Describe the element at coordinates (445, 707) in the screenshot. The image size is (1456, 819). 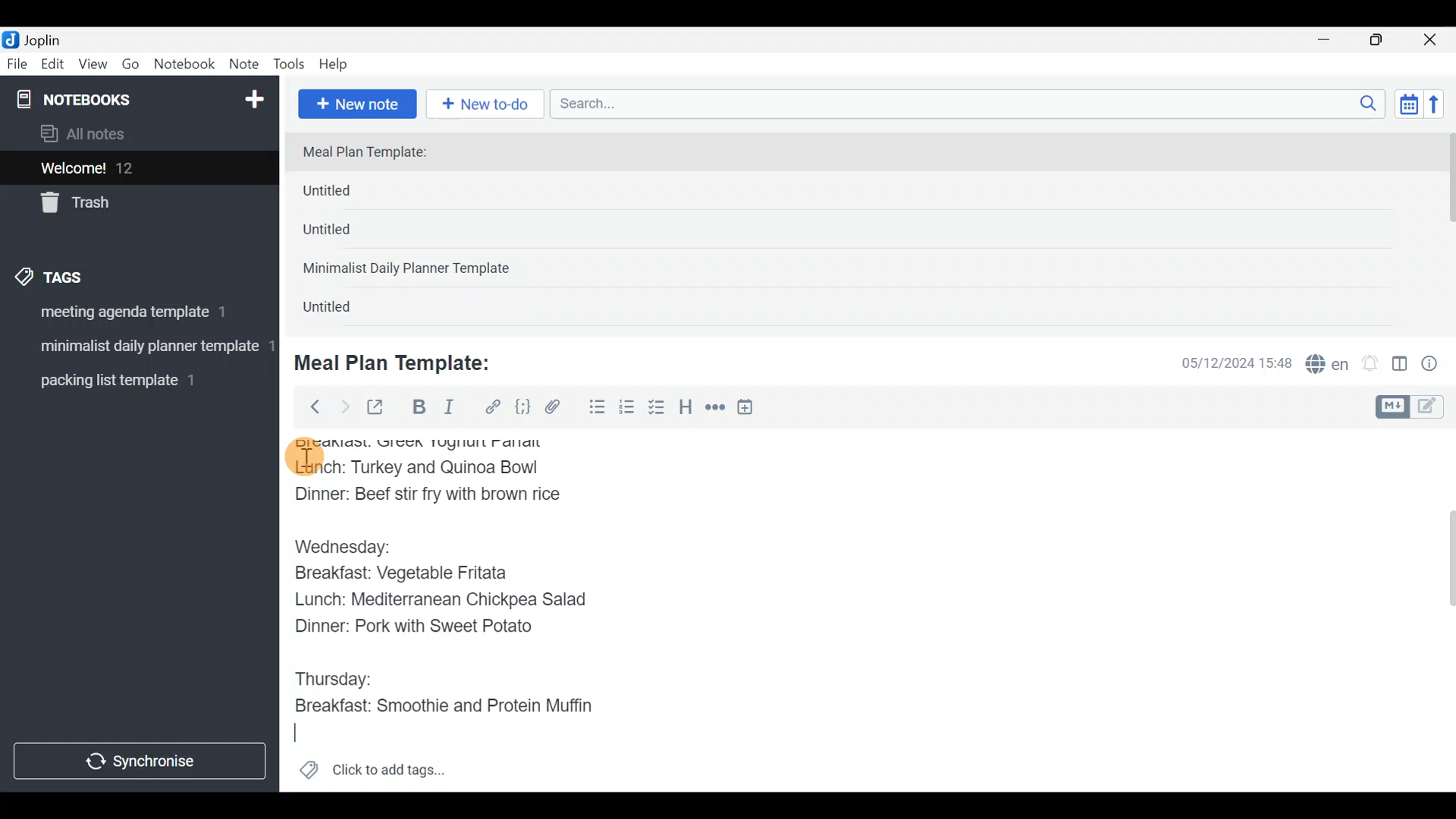
I see `Breakfast: Smoothie and Protein Muffin` at that location.